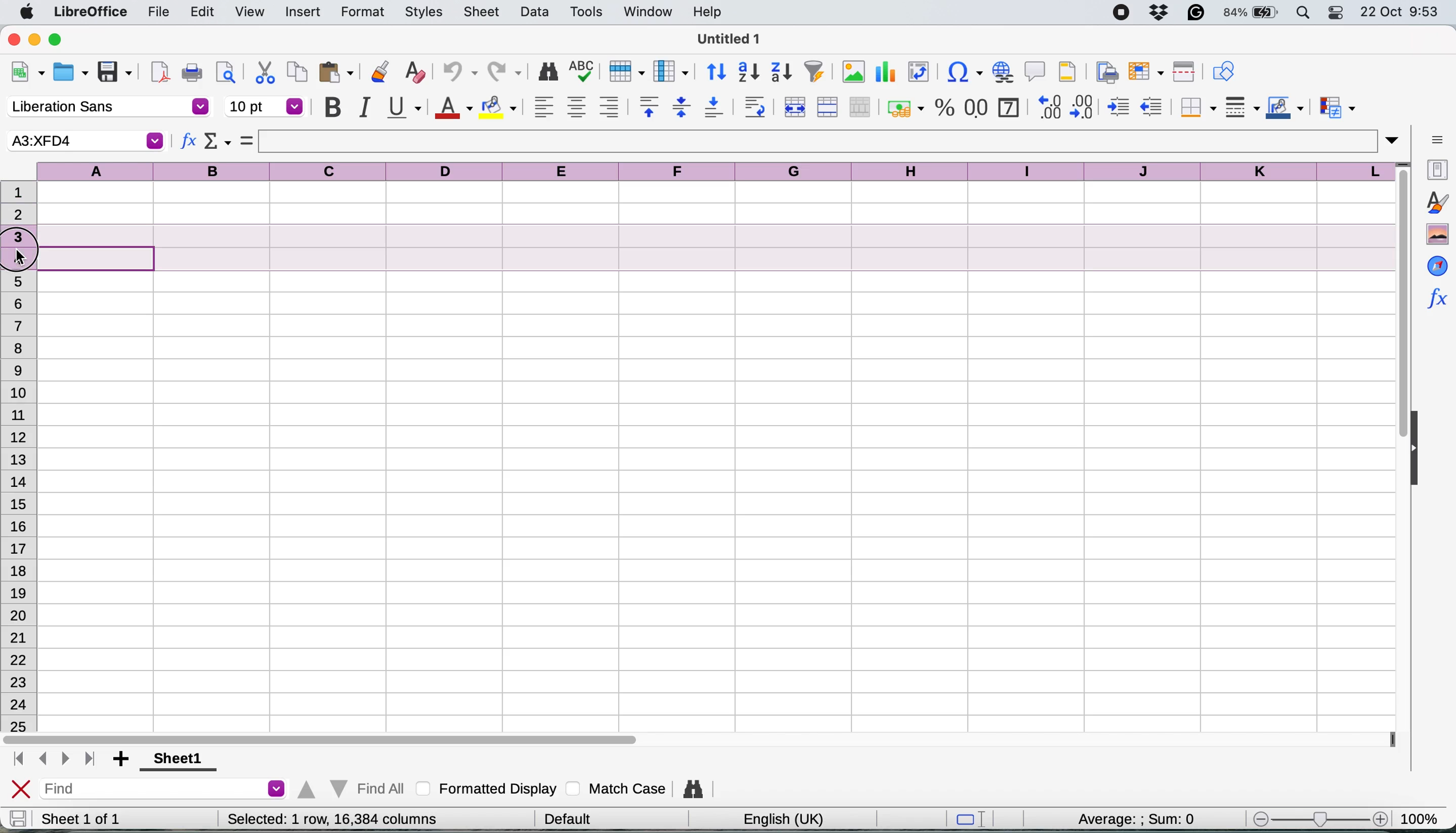 The height and width of the screenshot is (833, 1456). I want to click on cut, so click(265, 72).